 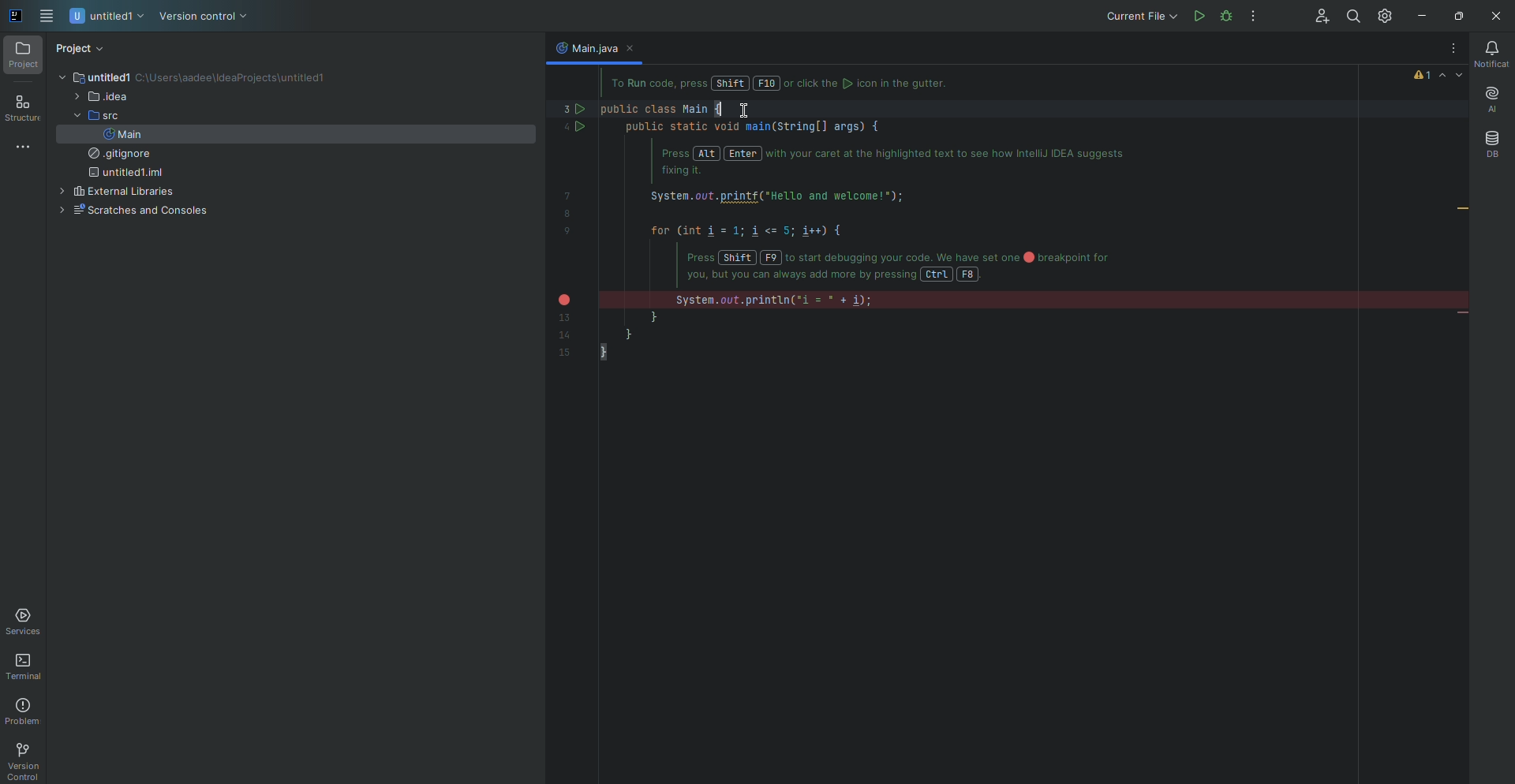 I want to click on Database, so click(x=1491, y=144).